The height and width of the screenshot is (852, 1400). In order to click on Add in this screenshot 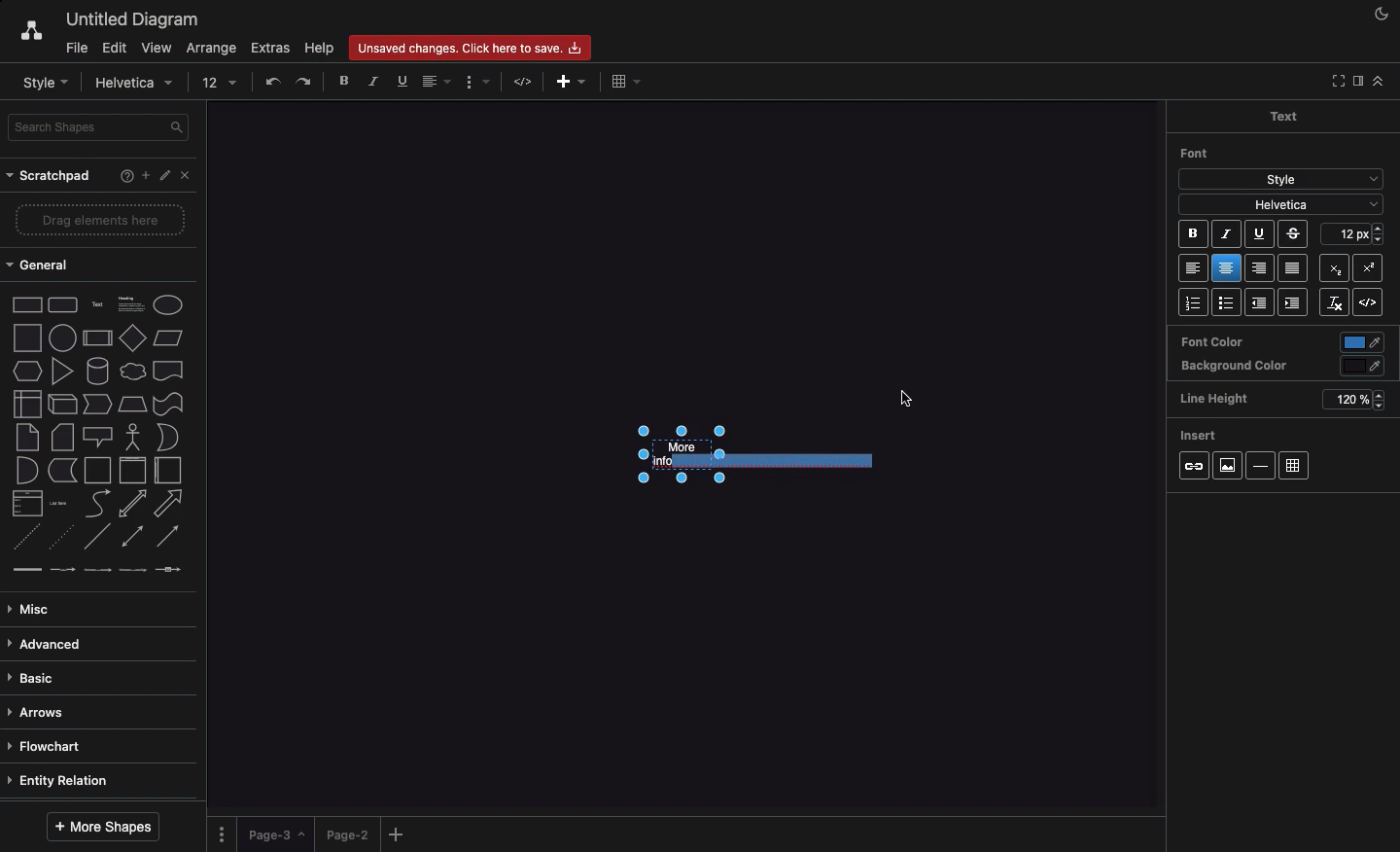, I will do `click(400, 834)`.